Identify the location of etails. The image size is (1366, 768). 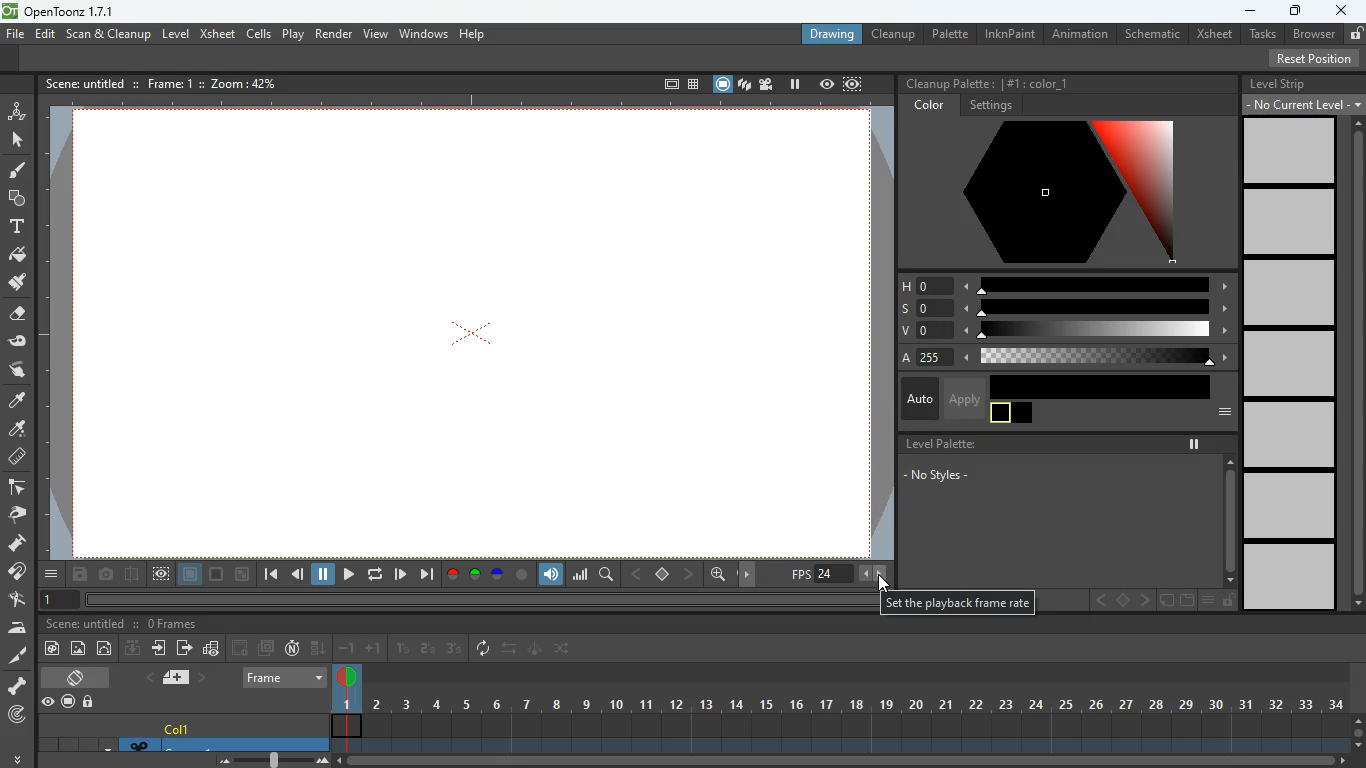
(213, 650).